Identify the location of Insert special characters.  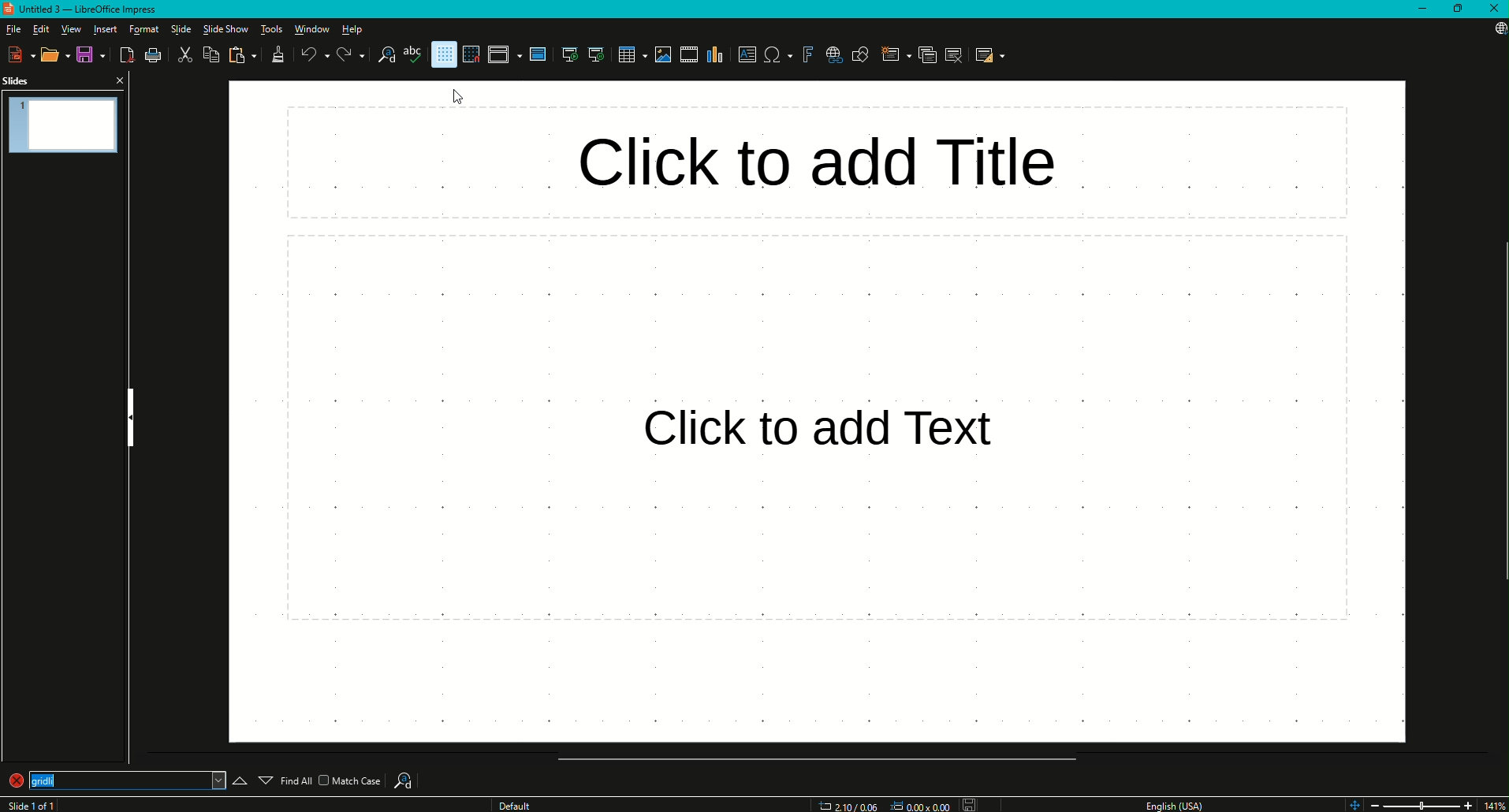
(775, 55).